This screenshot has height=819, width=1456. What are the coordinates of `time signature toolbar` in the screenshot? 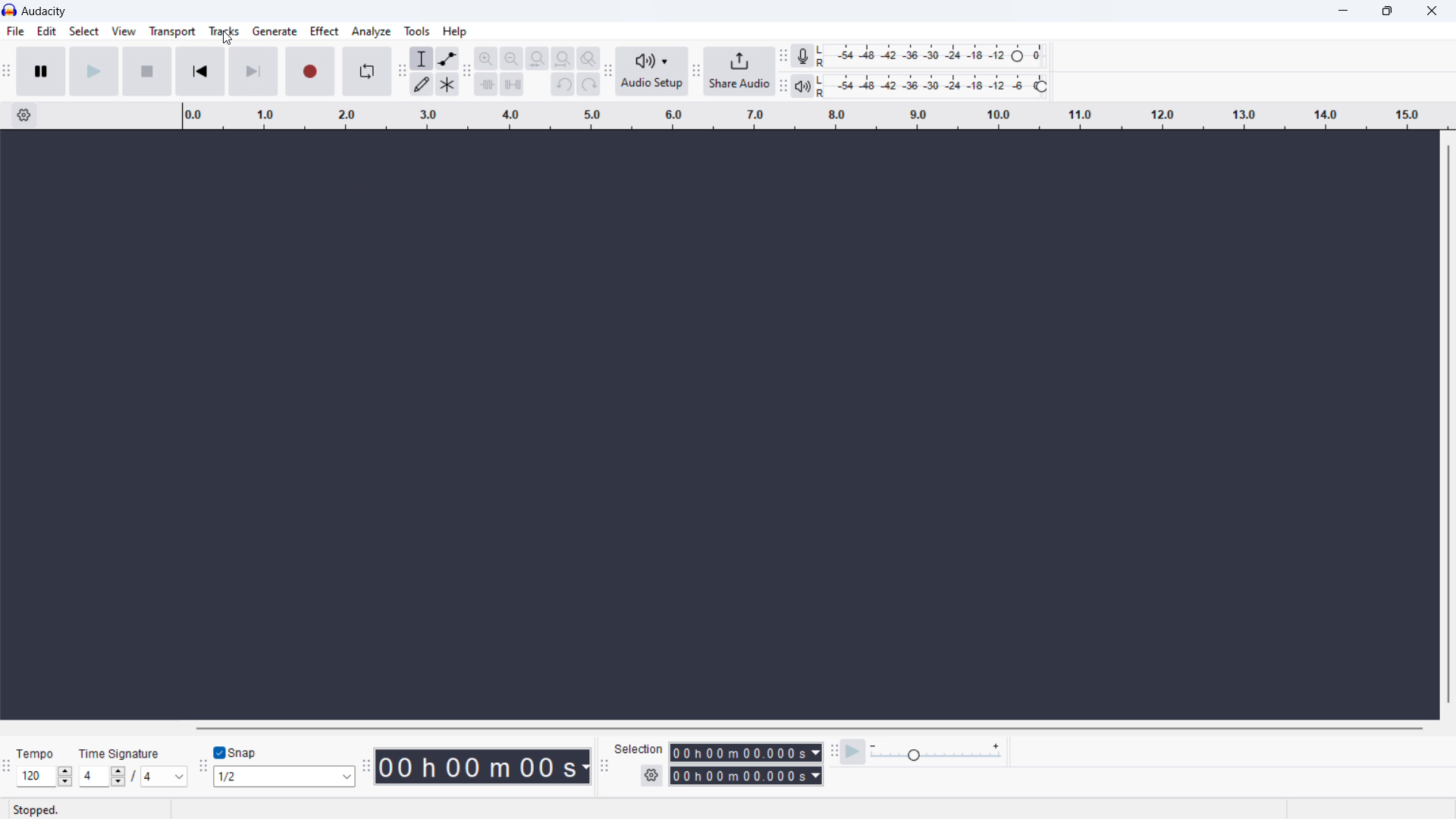 It's located at (6, 766).